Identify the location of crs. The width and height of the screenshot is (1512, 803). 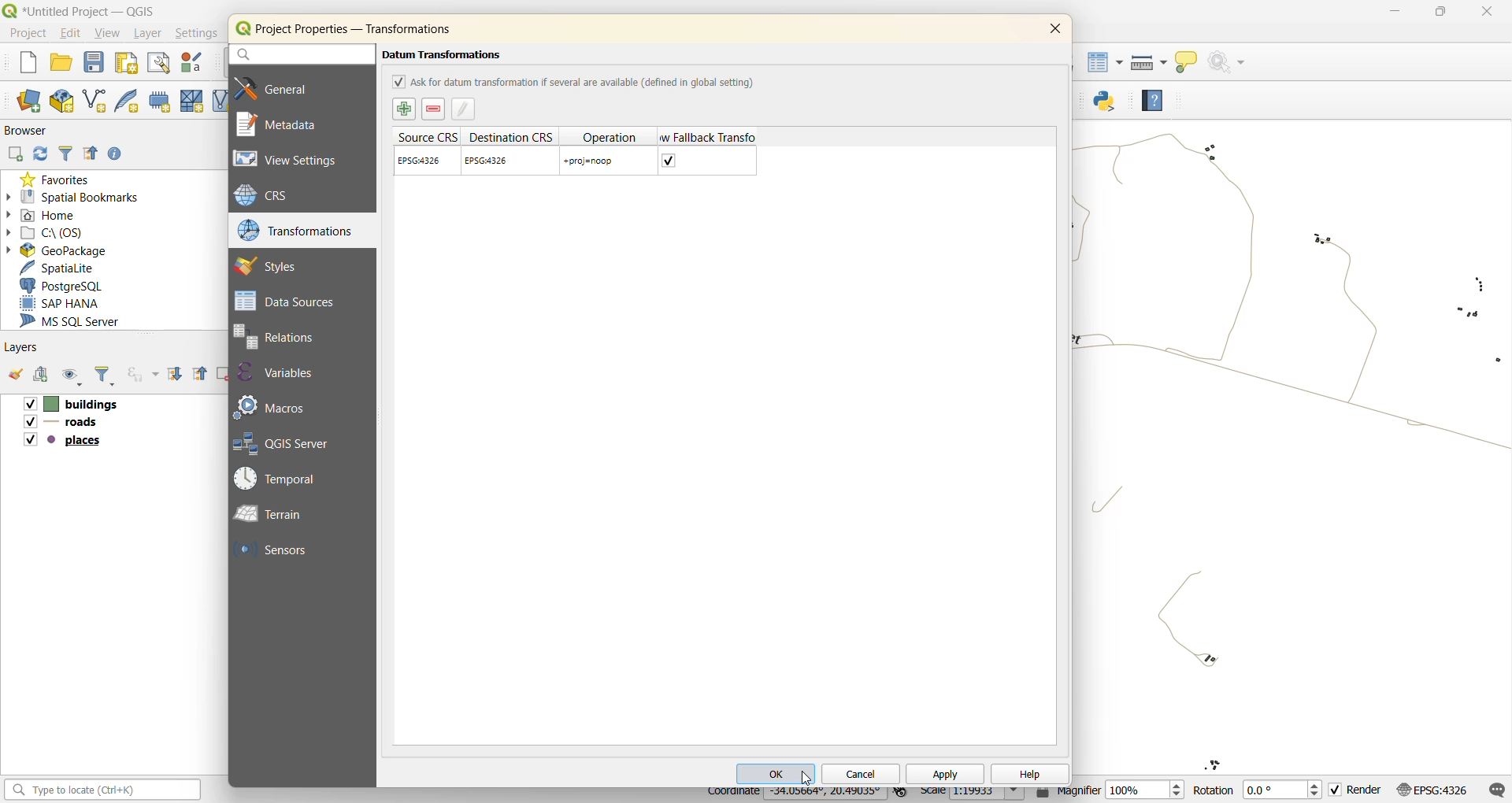
(1436, 790).